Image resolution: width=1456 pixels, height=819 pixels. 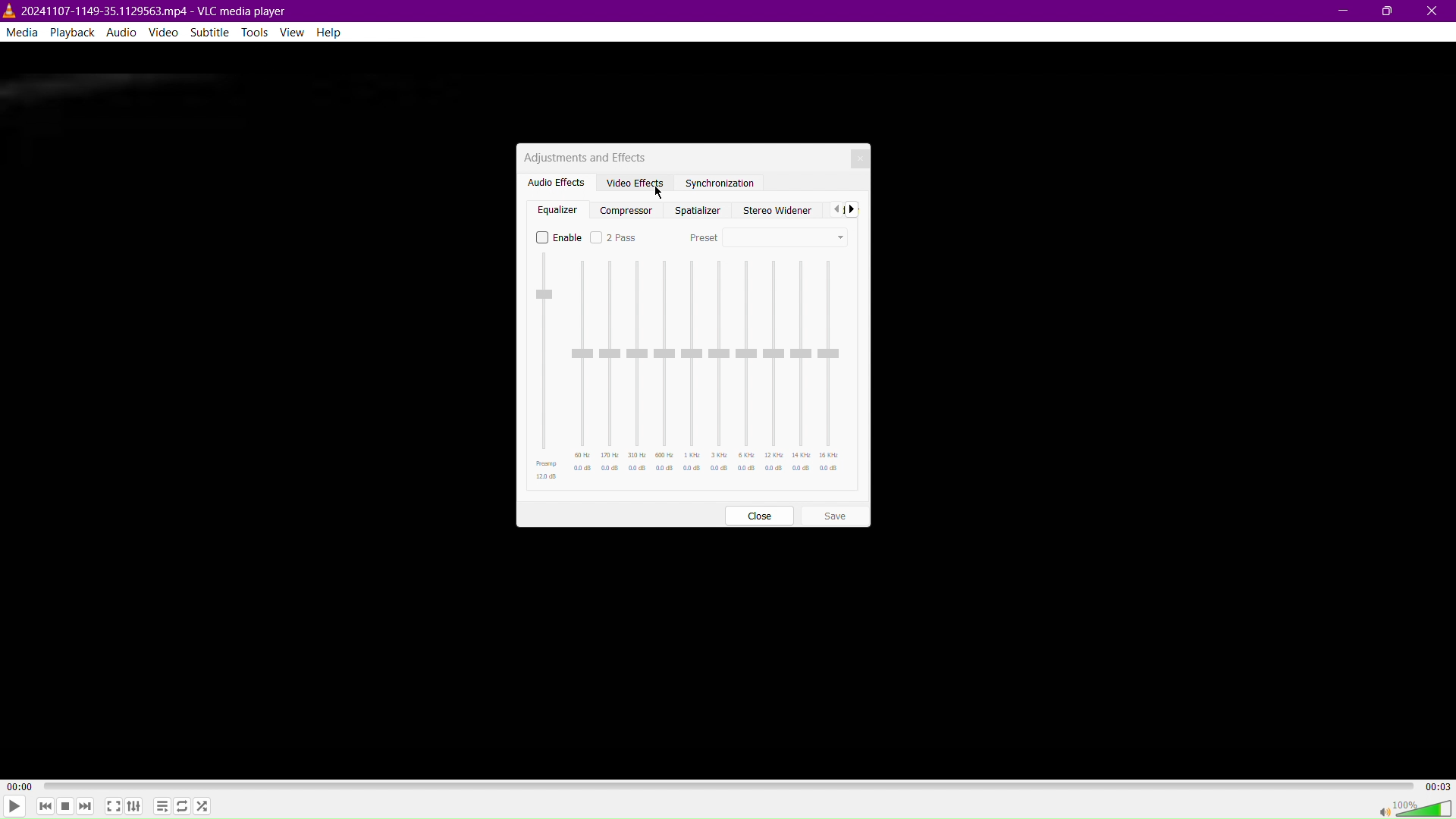 What do you see at coordinates (615, 237) in the screenshot?
I see `2 Pass` at bounding box center [615, 237].